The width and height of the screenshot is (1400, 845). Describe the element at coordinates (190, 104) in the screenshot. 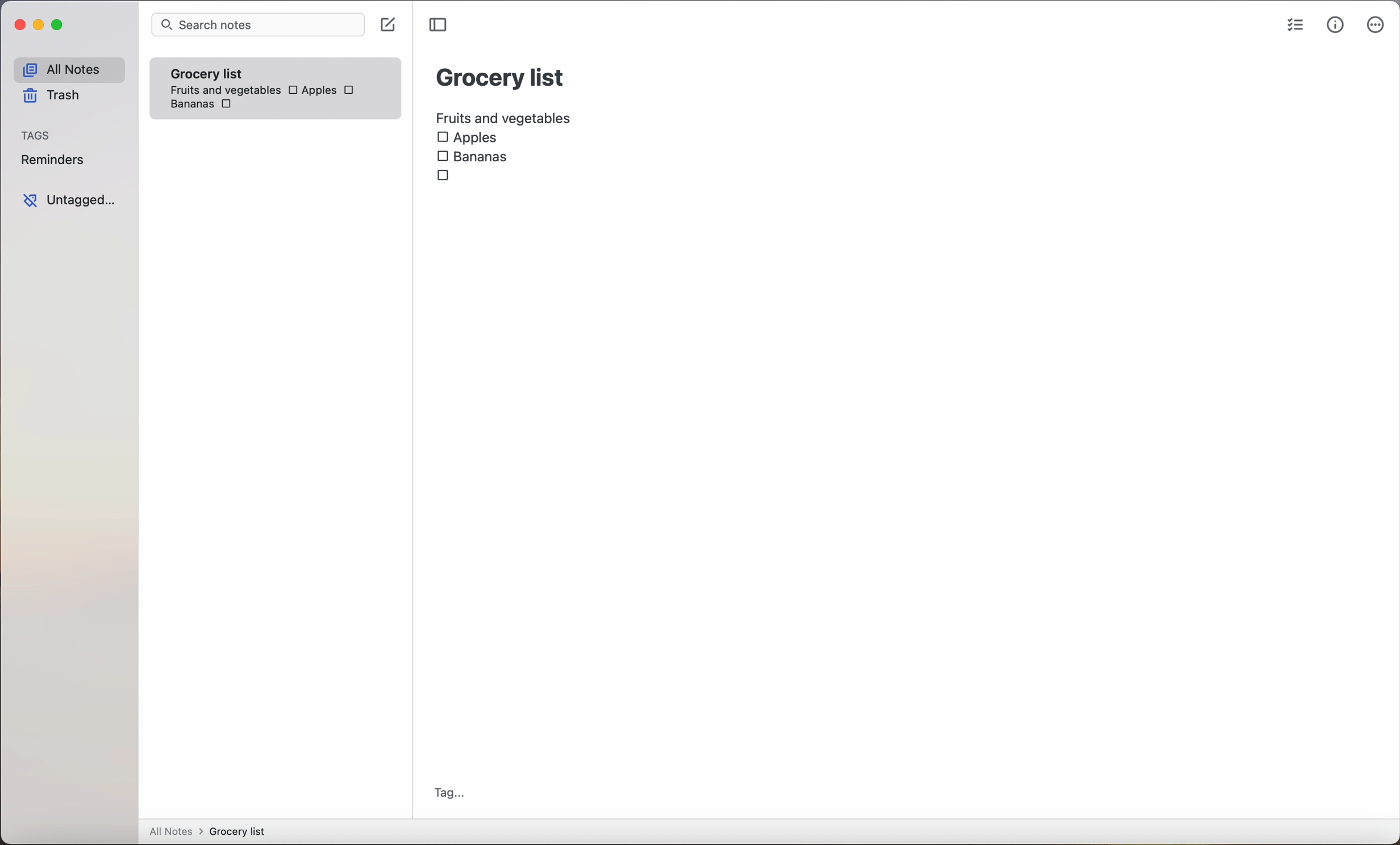

I see `bananas` at that location.